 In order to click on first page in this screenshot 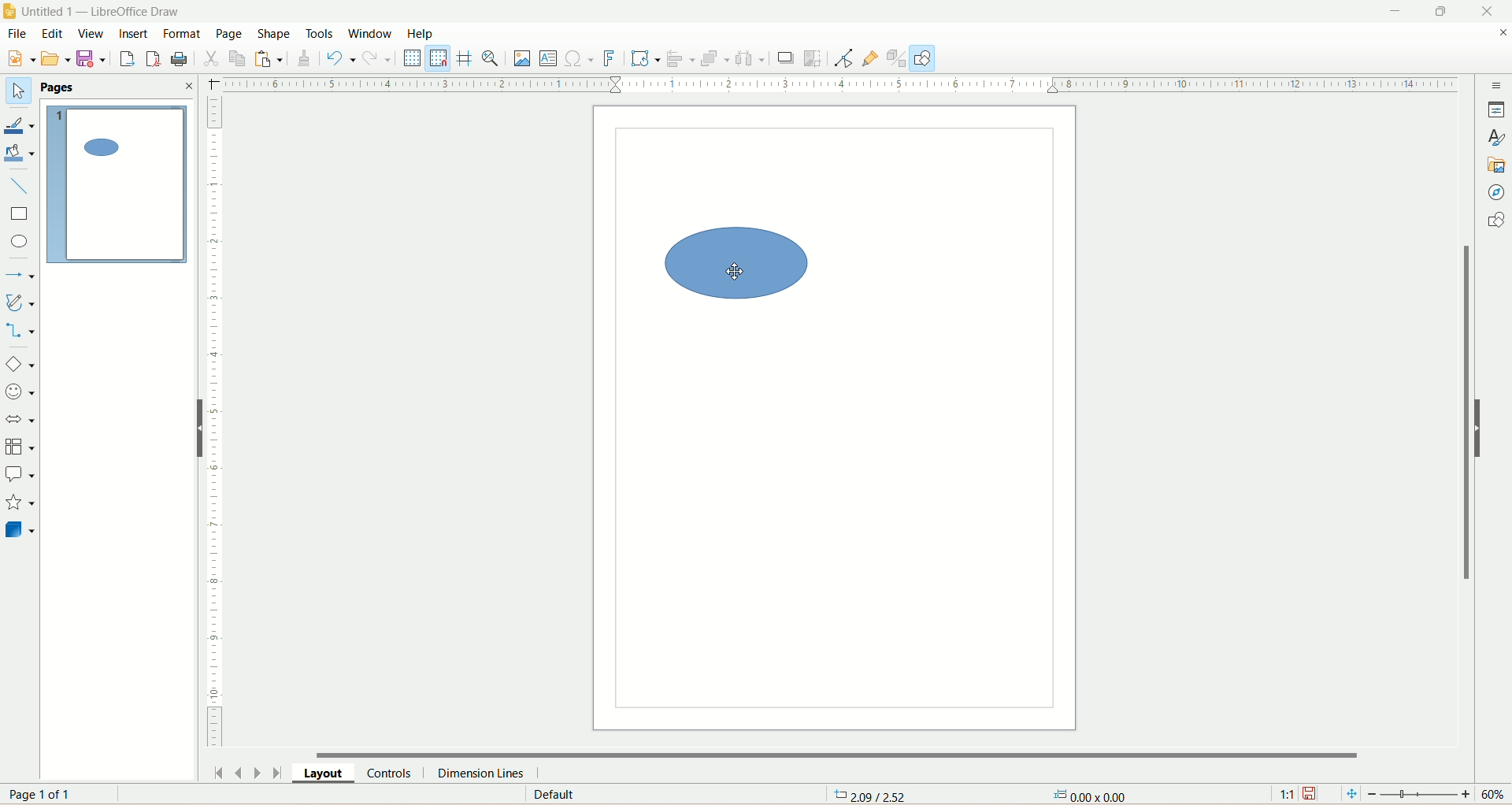, I will do `click(218, 770)`.